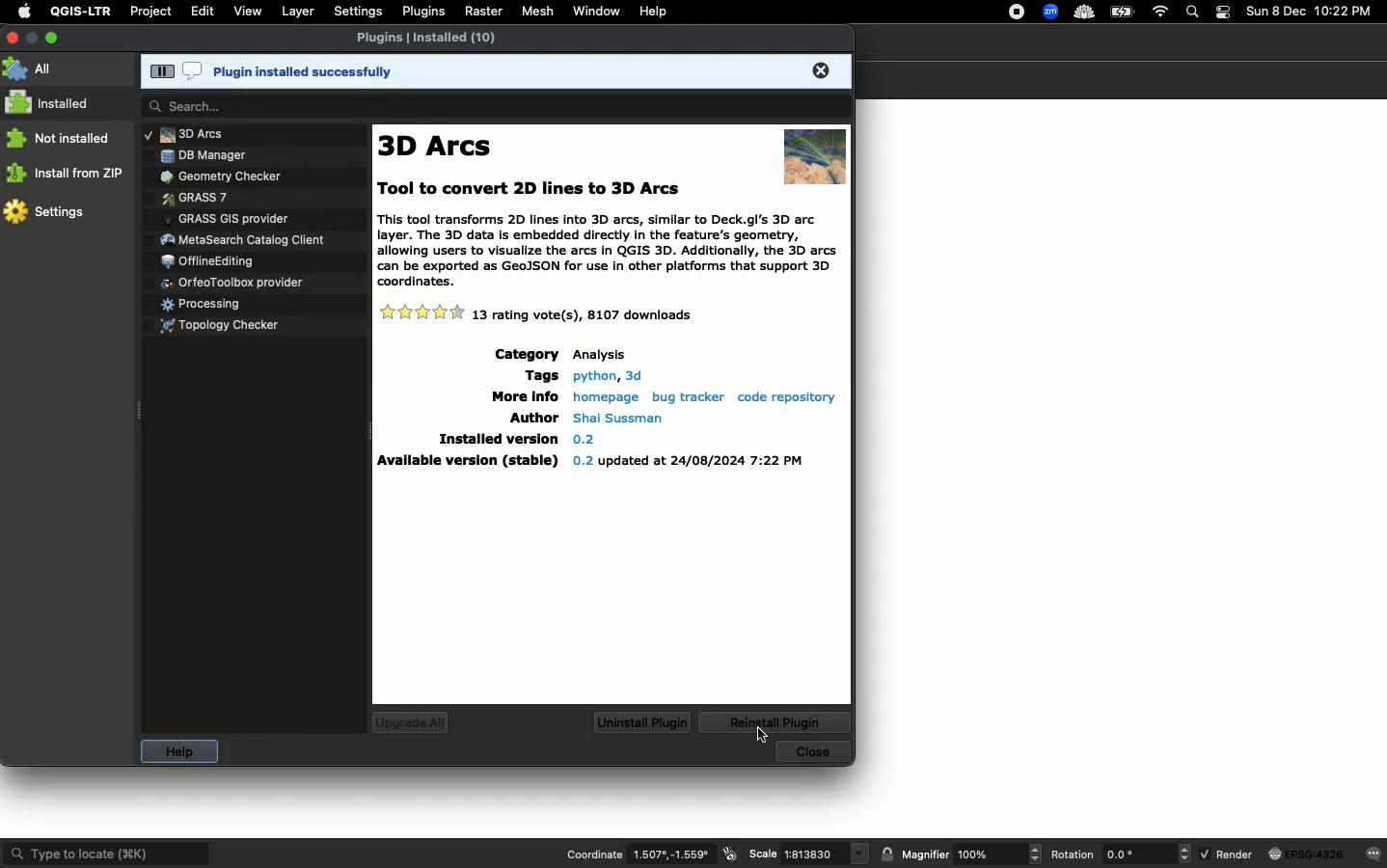 Image resolution: width=1387 pixels, height=868 pixels. What do you see at coordinates (502, 72) in the screenshot?
I see `Plugin installed successfully` at bounding box center [502, 72].